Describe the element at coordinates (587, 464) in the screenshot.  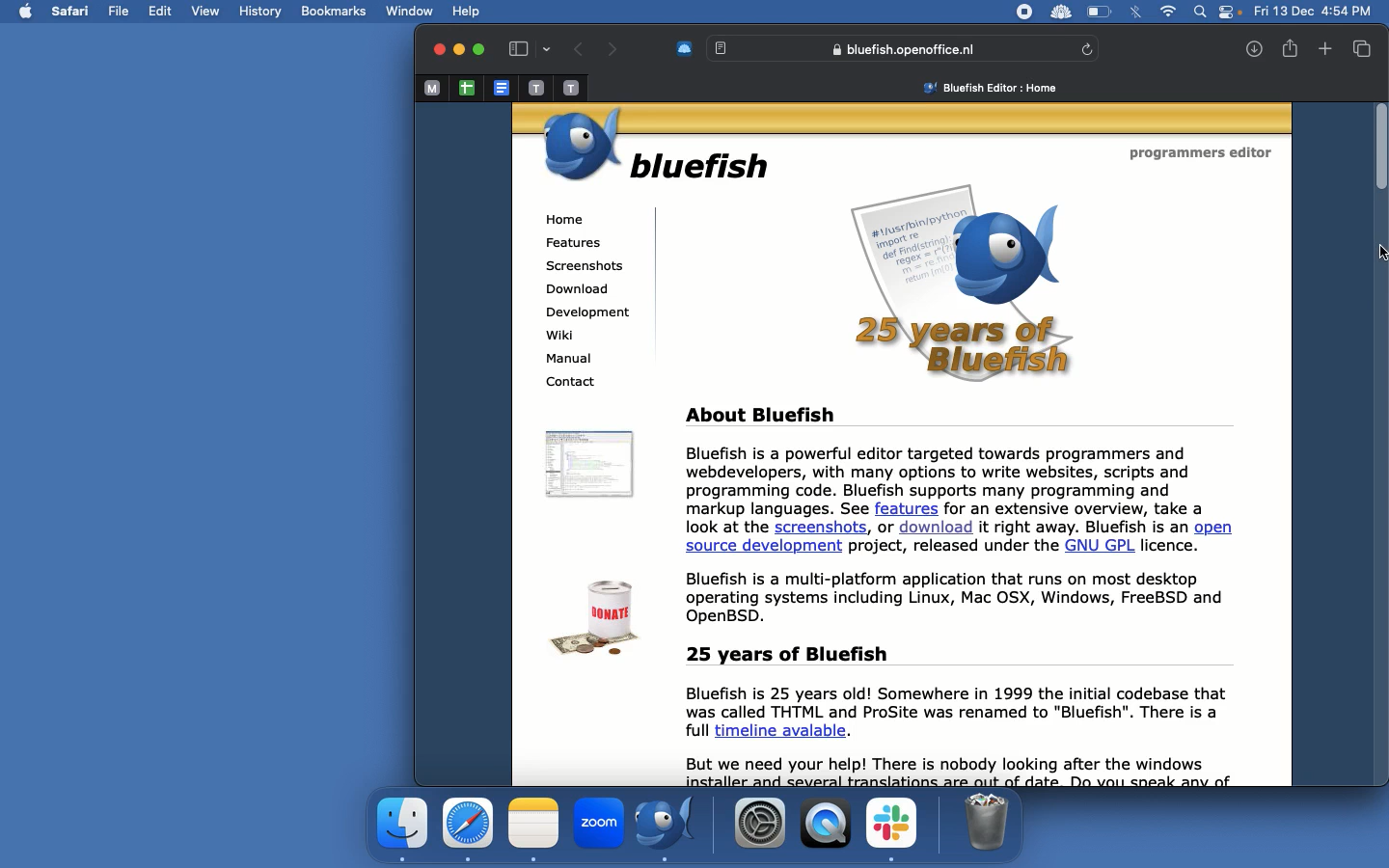
I see `Icon` at that location.